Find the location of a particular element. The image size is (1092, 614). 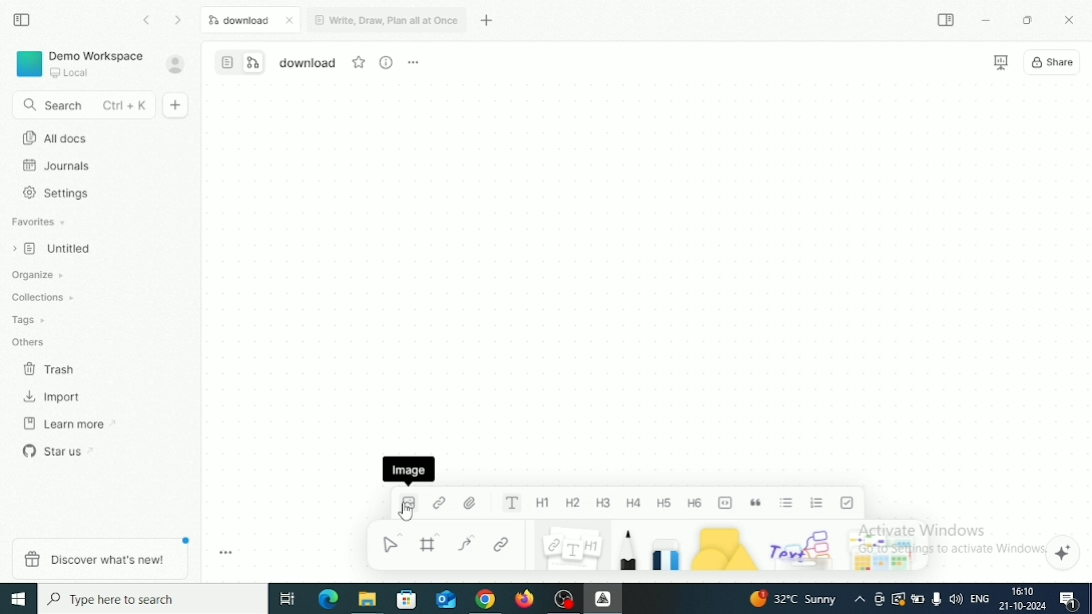

Speakers is located at coordinates (955, 600).